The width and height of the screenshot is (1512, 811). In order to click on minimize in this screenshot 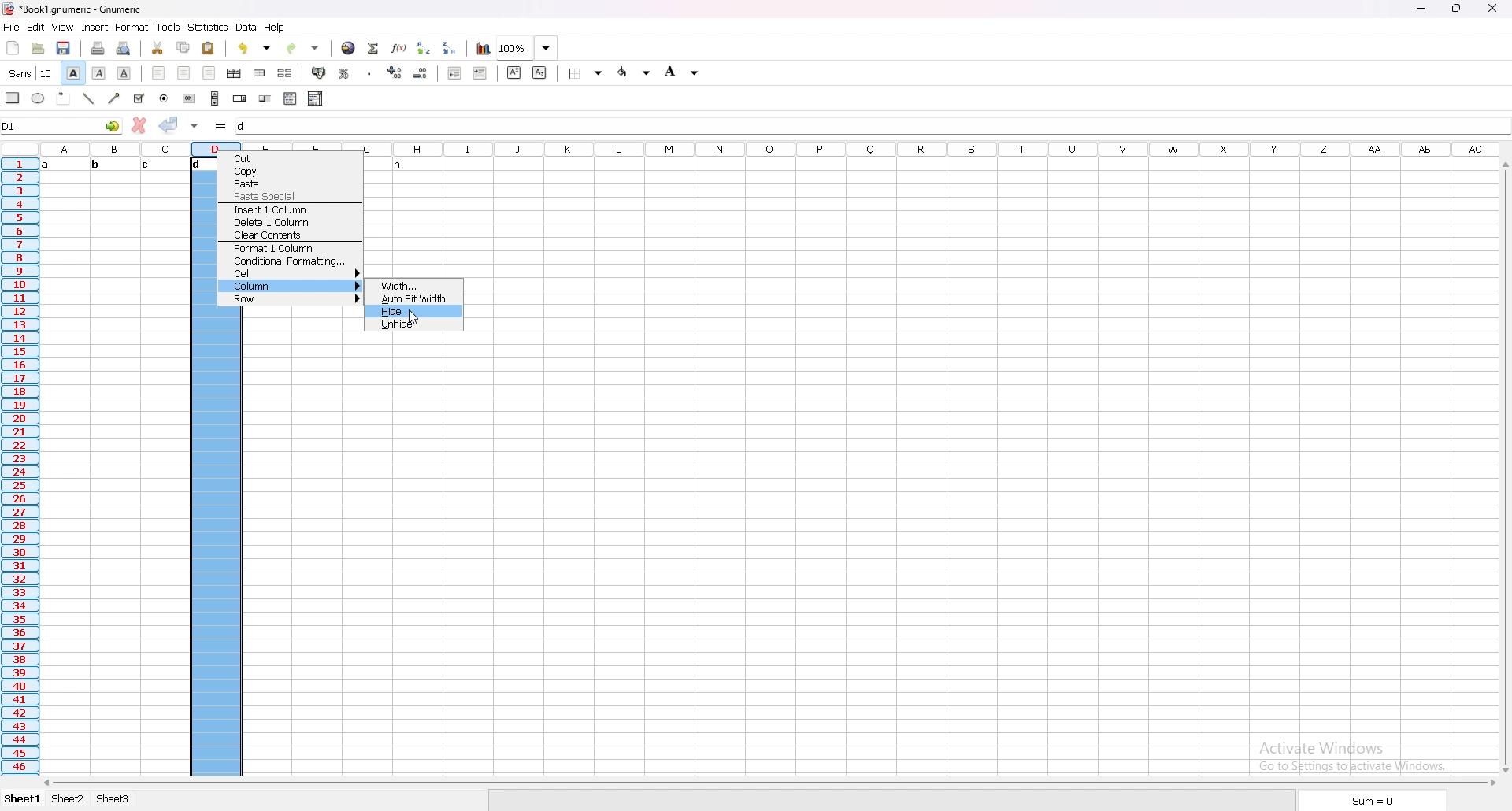, I will do `click(1421, 9)`.